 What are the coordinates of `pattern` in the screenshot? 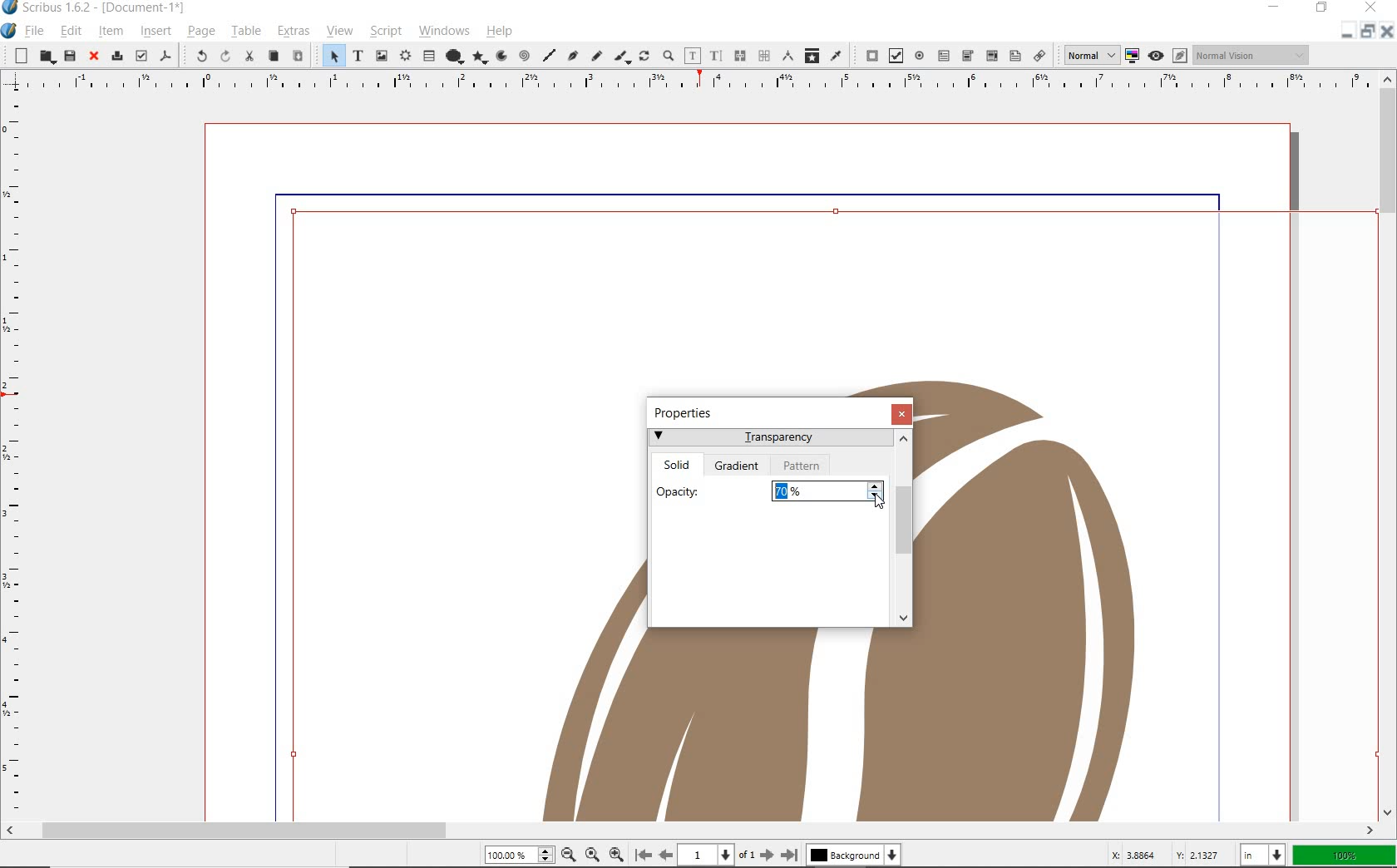 It's located at (802, 465).